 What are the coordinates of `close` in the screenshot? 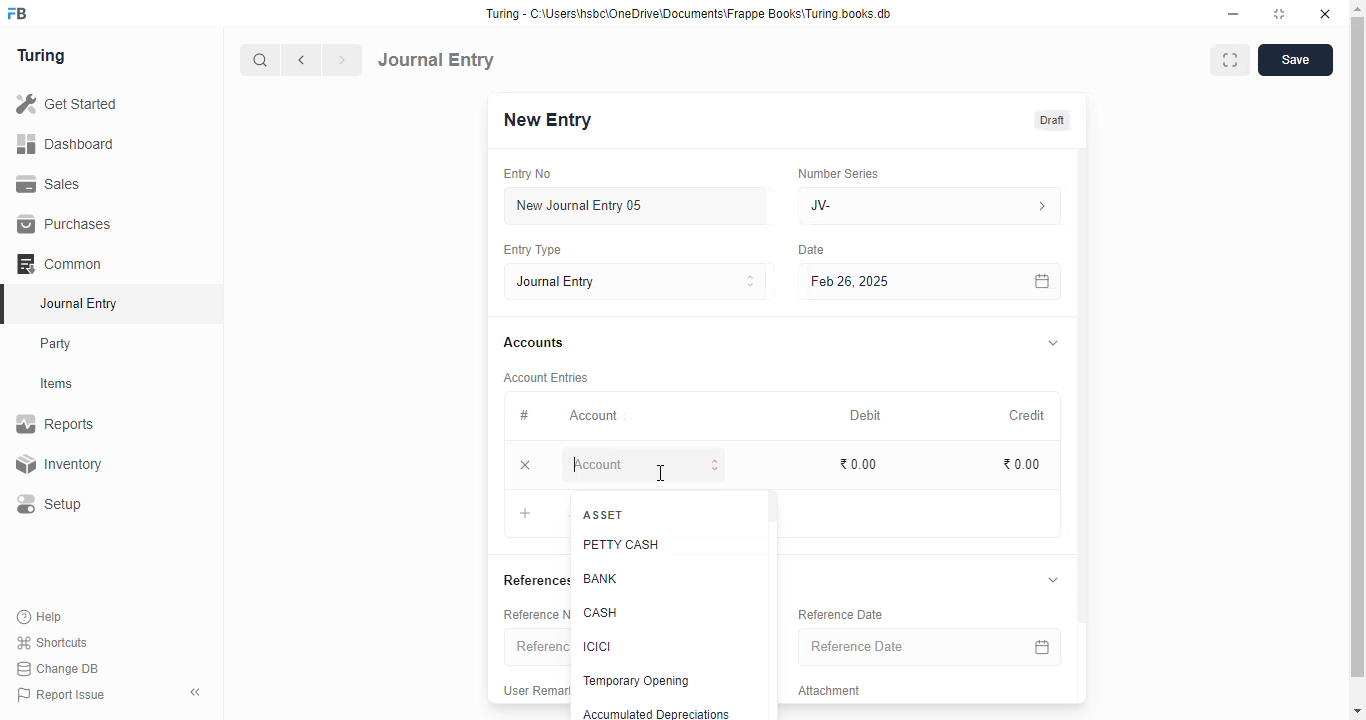 It's located at (1325, 14).